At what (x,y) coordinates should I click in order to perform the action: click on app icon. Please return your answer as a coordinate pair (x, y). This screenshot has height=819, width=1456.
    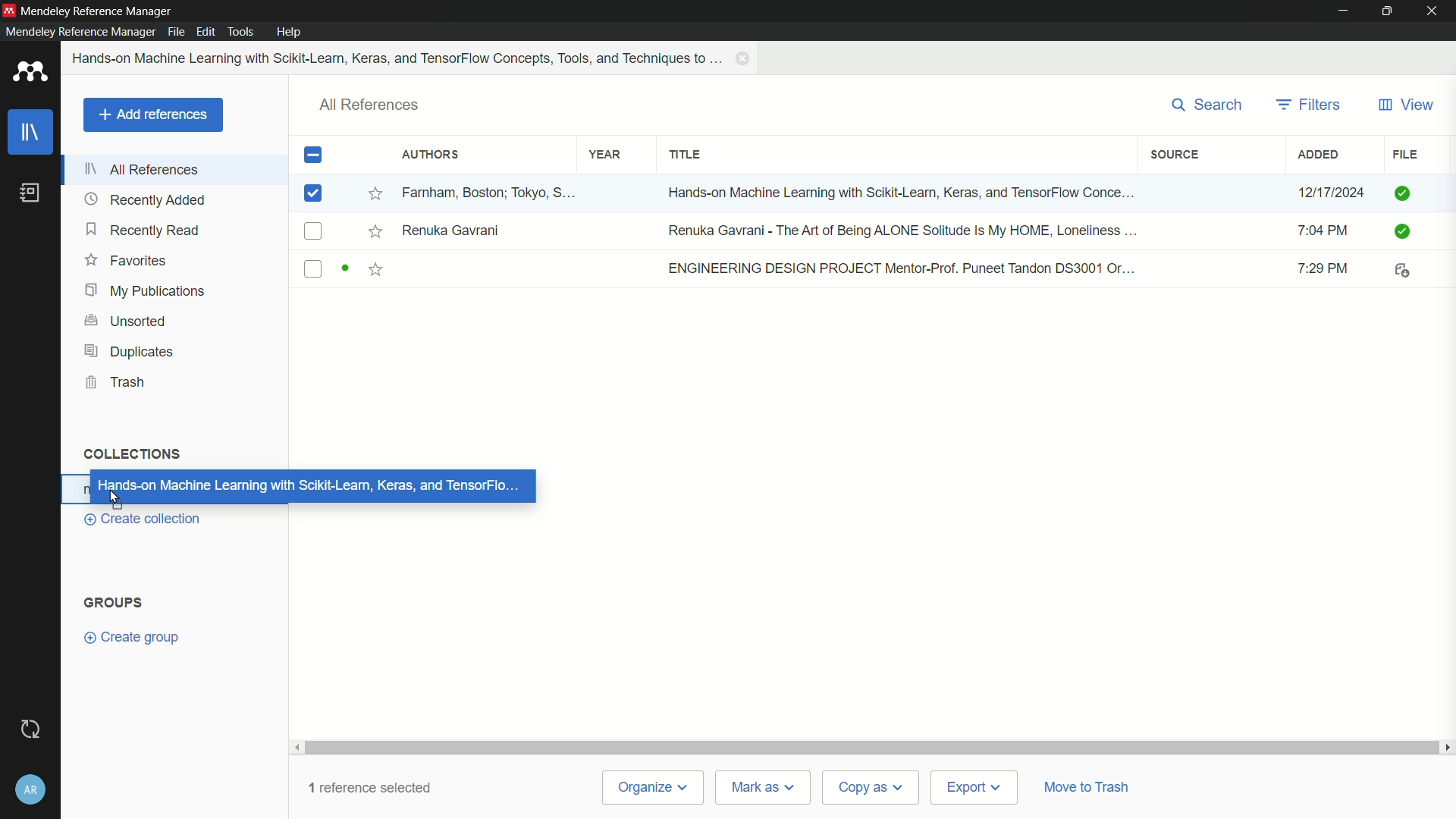
    Looking at the image, I should click on (30, 74).